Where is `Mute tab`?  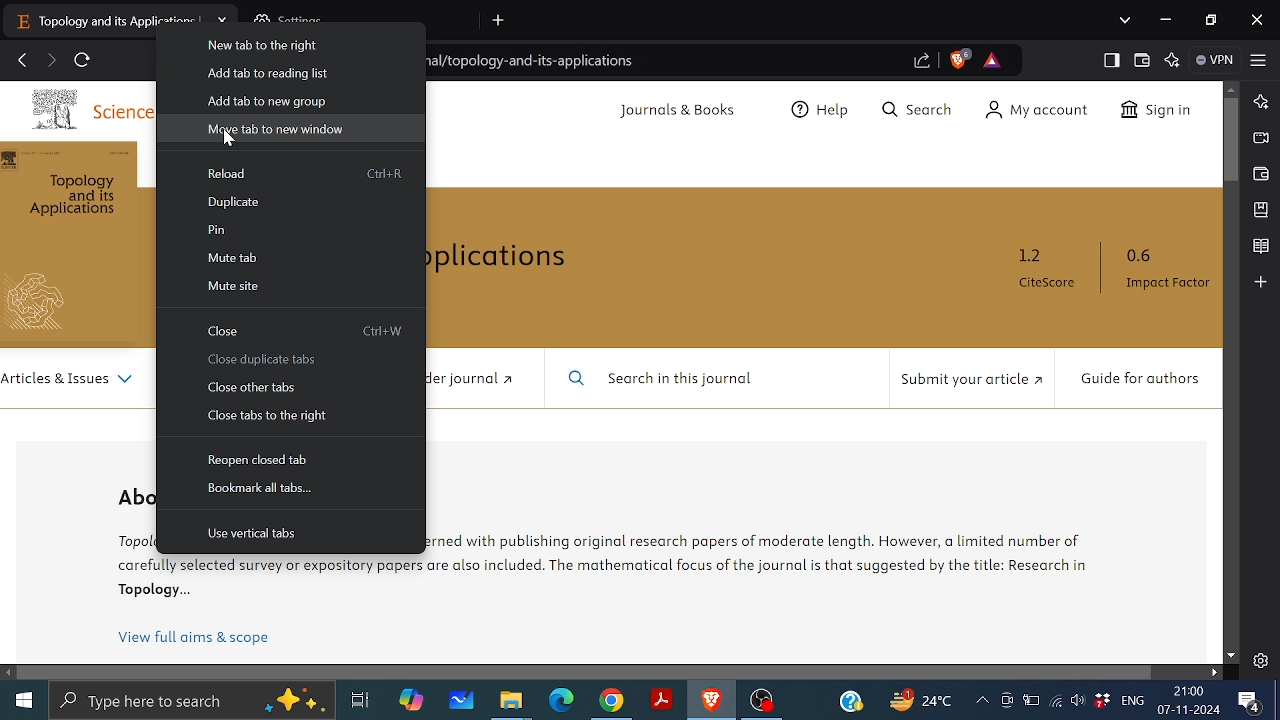
Mute tab is located at coordinates (235, 258).